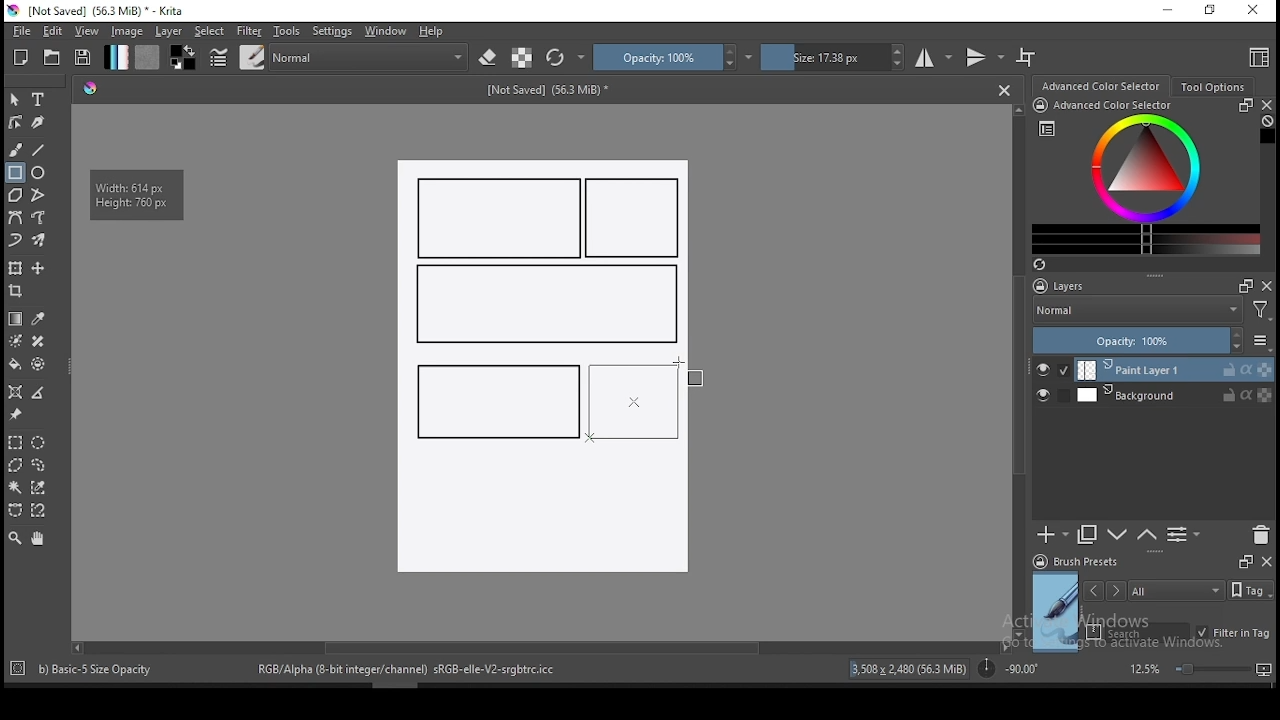 The height and width of the screenshot is (720, 1280). What do you see at coordinates (1267, 285) in the screenshot?
I see `close docker` at bounding box center [1267, 285].